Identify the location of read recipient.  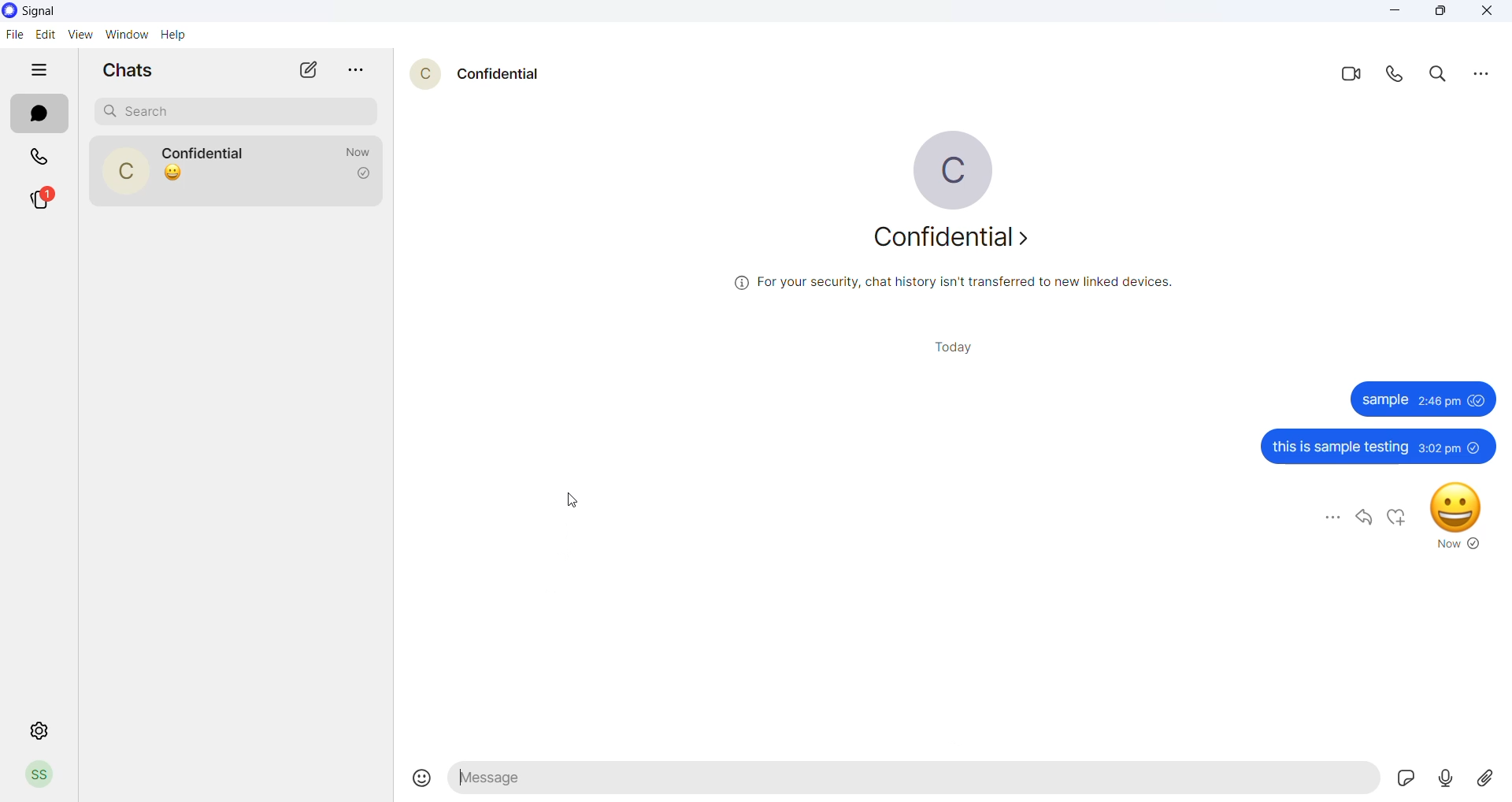
(365, 175).